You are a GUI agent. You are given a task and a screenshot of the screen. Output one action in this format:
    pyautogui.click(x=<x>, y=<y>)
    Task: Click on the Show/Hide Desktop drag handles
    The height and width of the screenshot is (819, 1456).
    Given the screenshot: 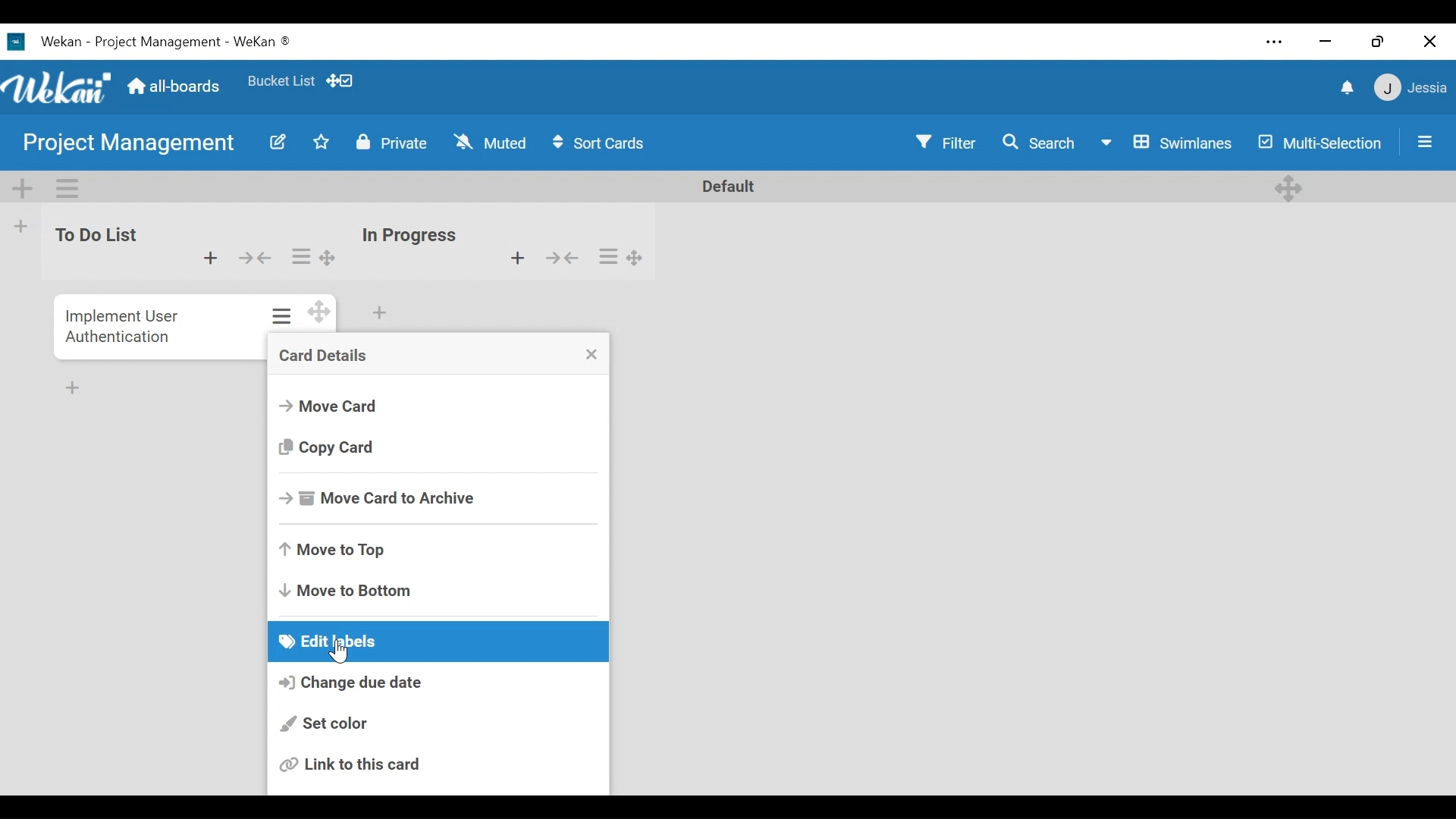 What is the action you would take?
    pyautogui.click(x=339, y=81)
    